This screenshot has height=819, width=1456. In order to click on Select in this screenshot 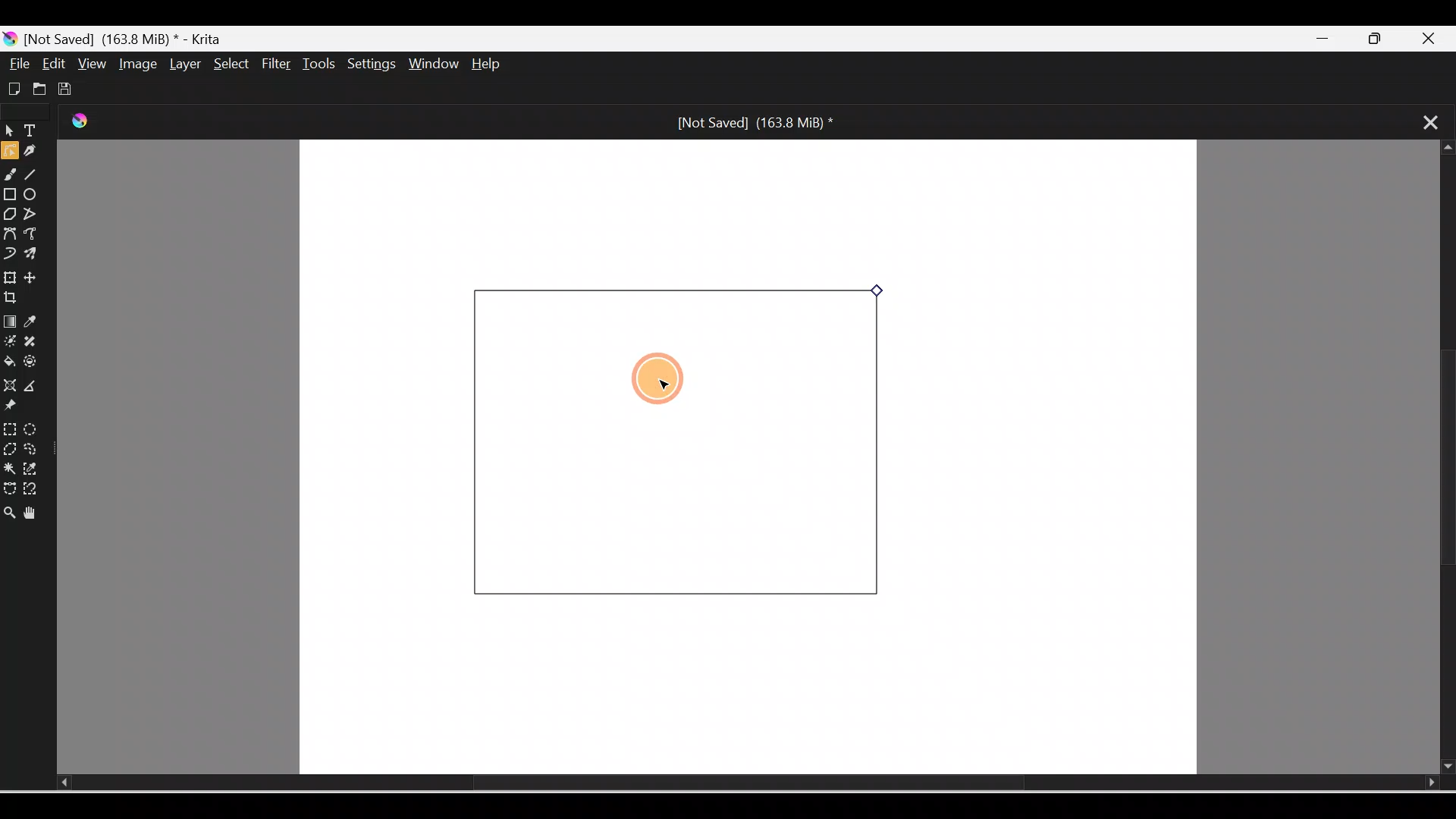, I will do `click(227, 63)`.